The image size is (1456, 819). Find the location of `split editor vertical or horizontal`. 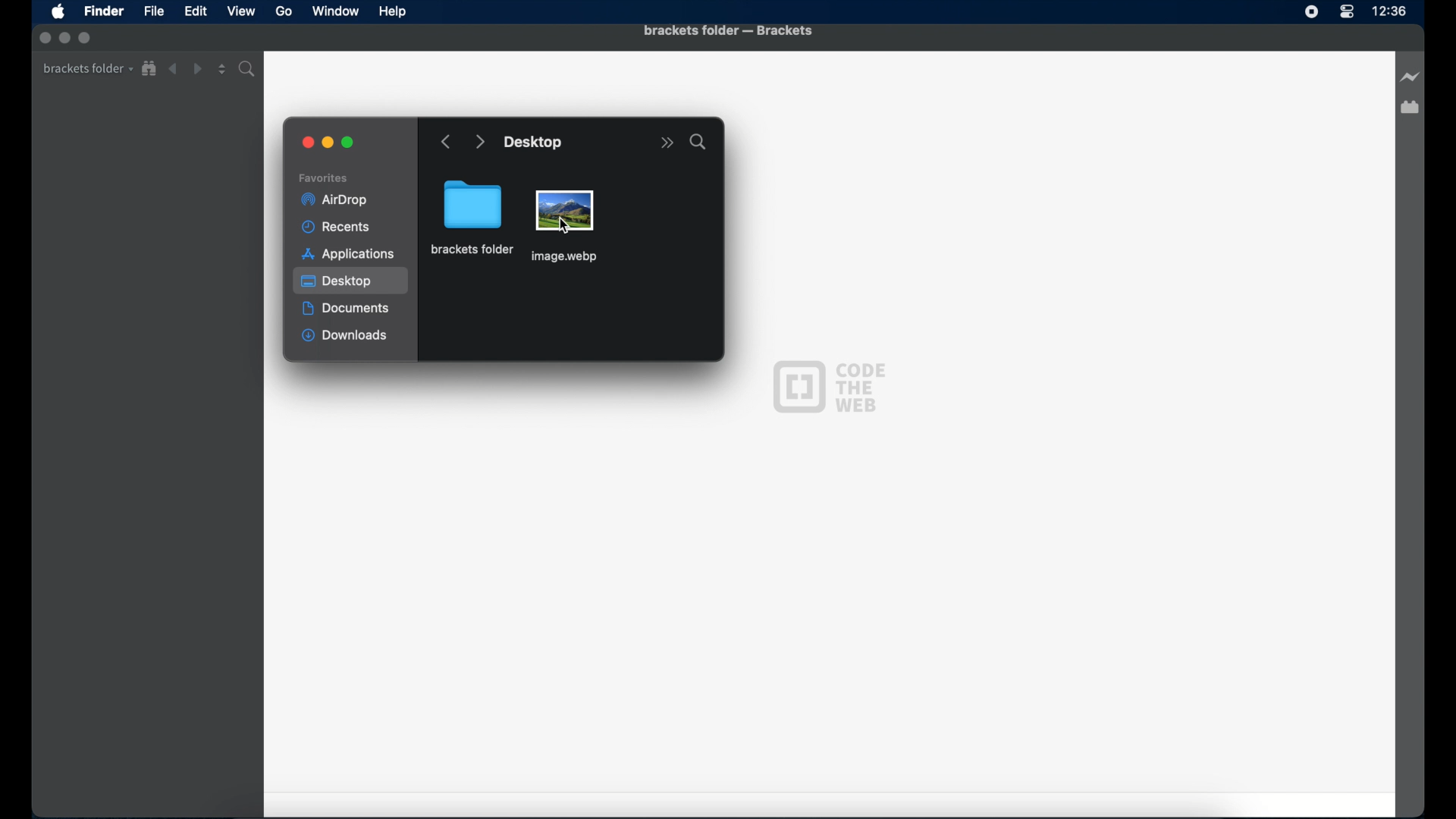

split editor vertical or horizontal is located at coordinates (222, 69).